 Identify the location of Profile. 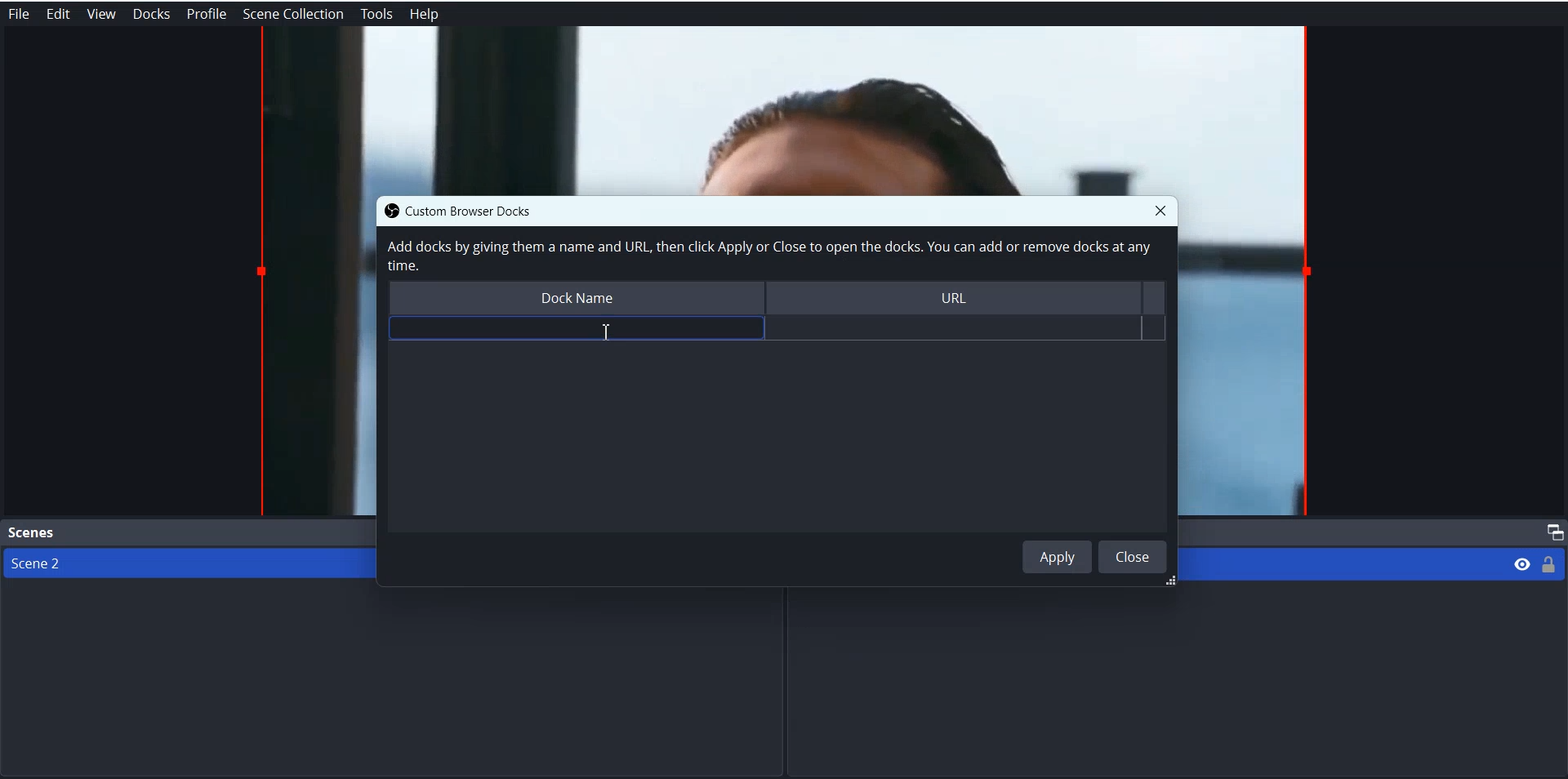
(207, 14).